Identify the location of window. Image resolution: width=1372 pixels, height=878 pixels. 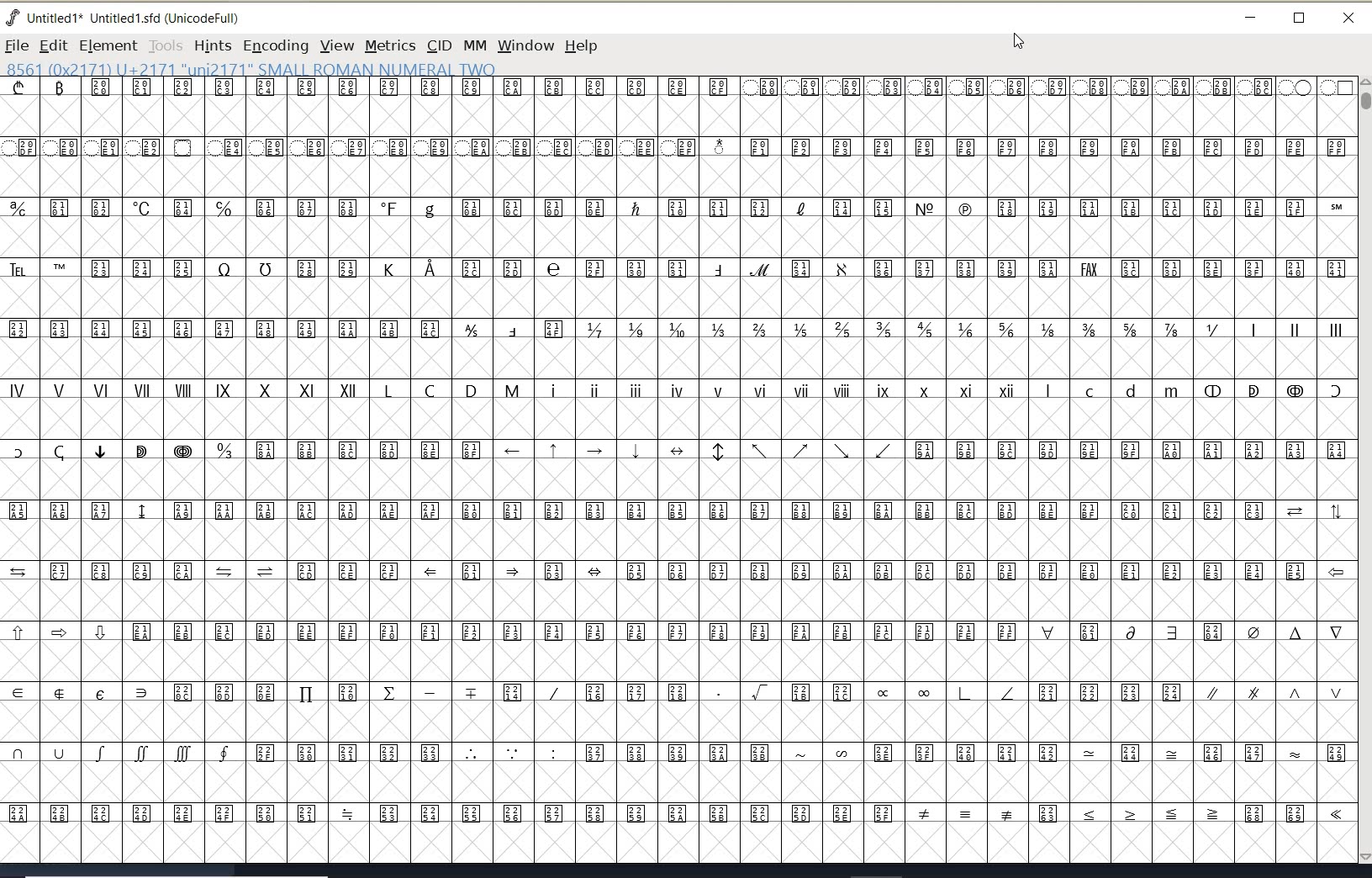
(525, 45).